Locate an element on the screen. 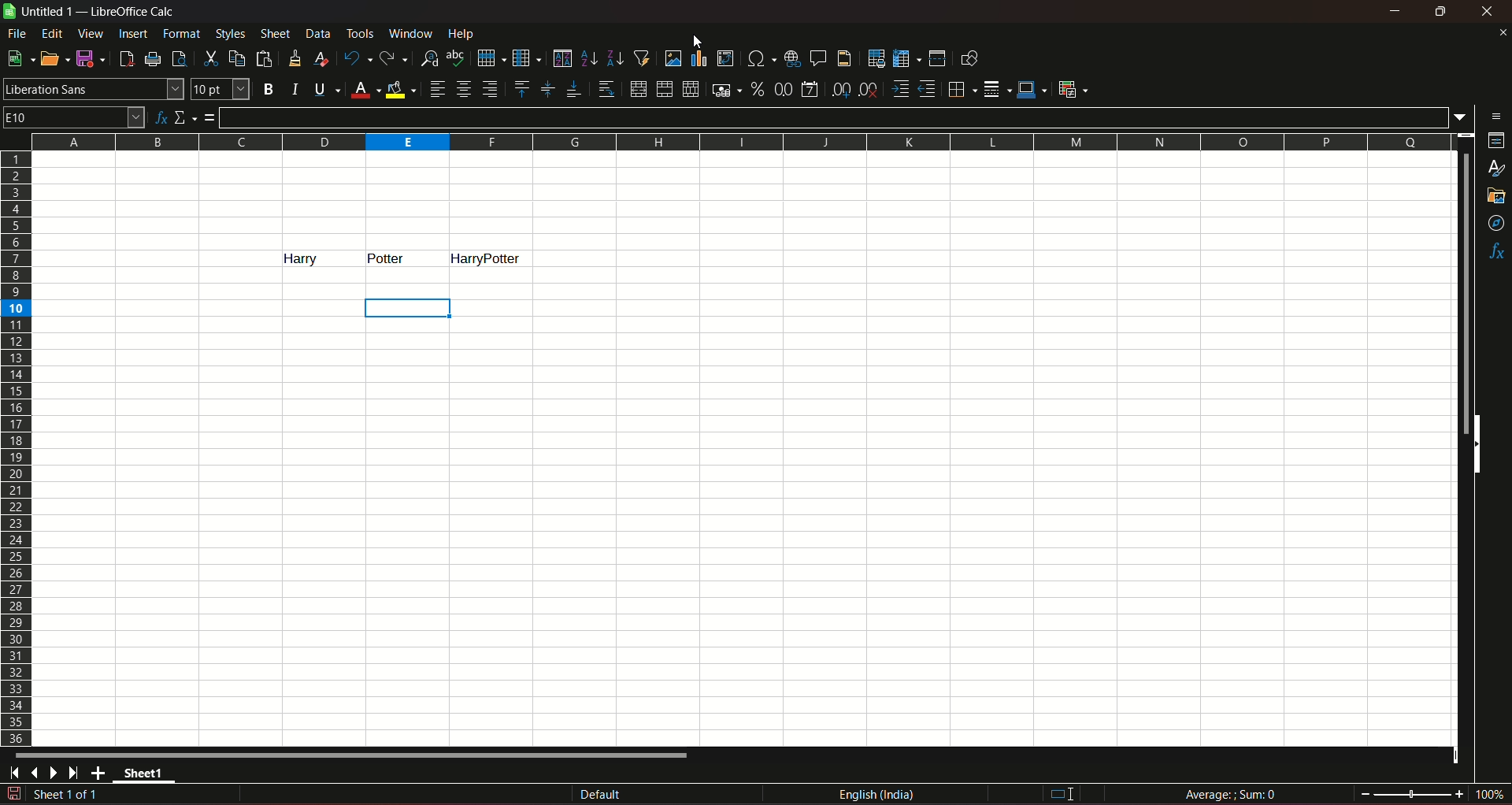 The width and height of the screenshot is (1512, 805). font color is located at coordinates (365, 91).